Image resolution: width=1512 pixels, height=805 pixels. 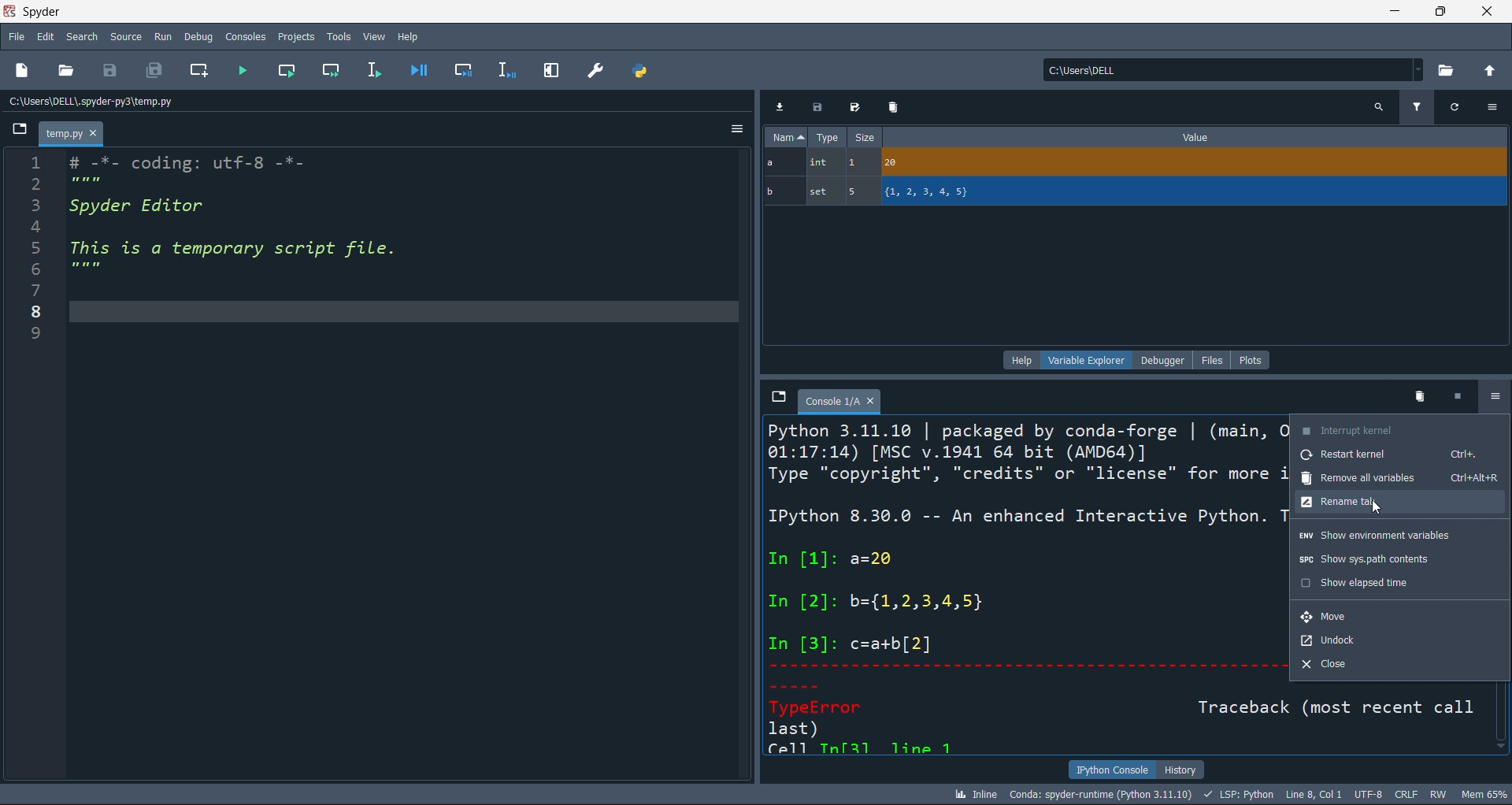 What do you see at coordinates (1400, 583) in the screenshot?
I see `show elapsed time` at bounding box center [1400, 583].